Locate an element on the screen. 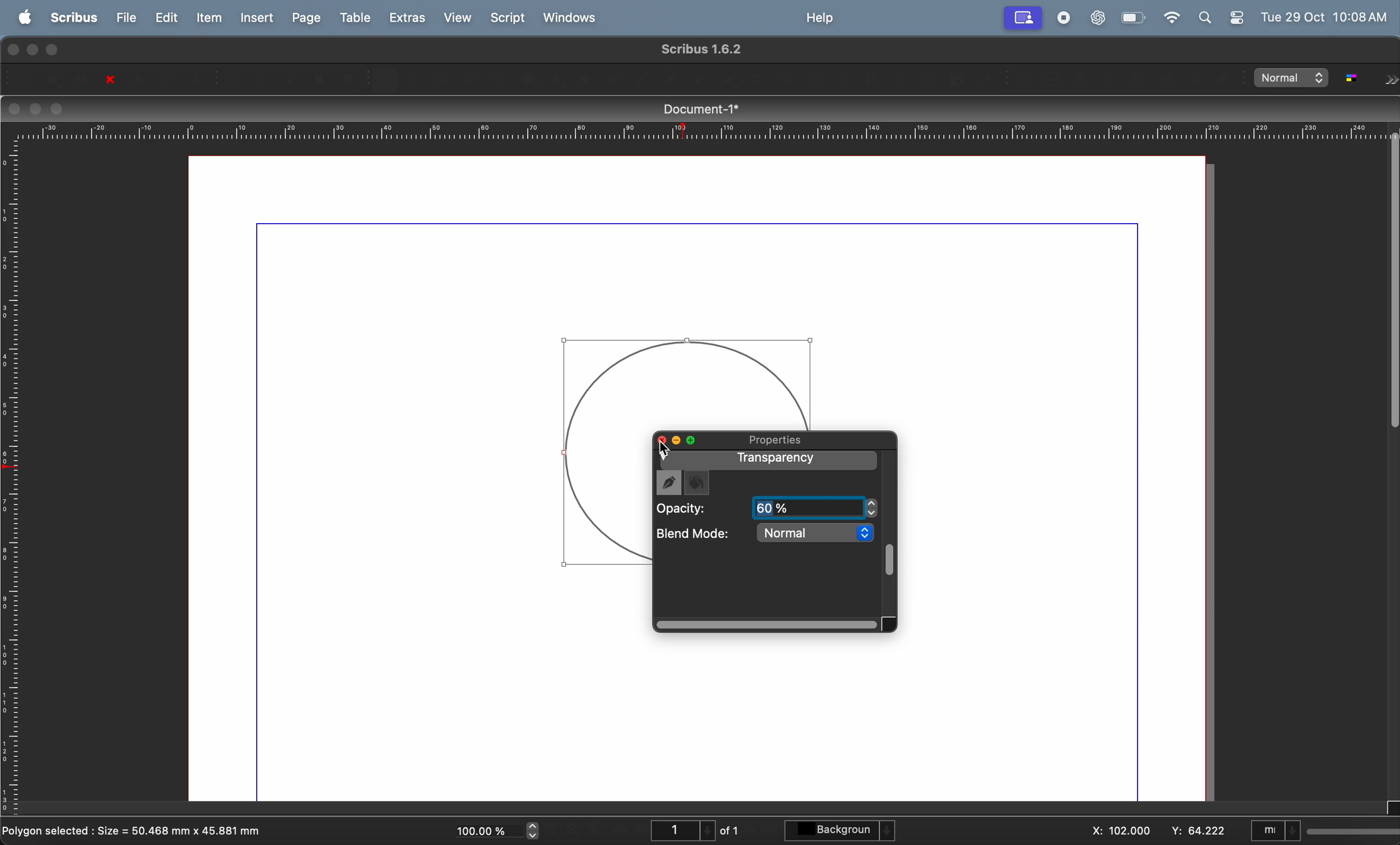  insert is located at coordinates (254, 19).